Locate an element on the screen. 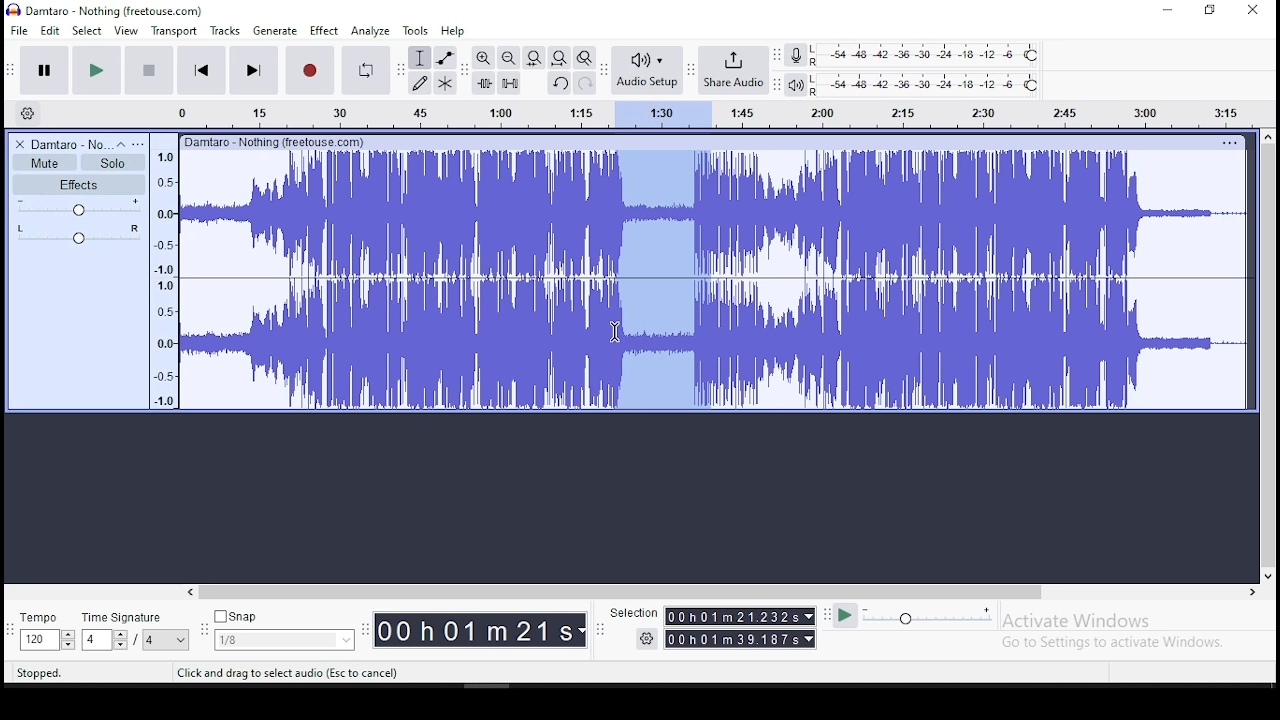 The width and height of the screenshot is (1280, 720). left is located at coordinates (189, 592).